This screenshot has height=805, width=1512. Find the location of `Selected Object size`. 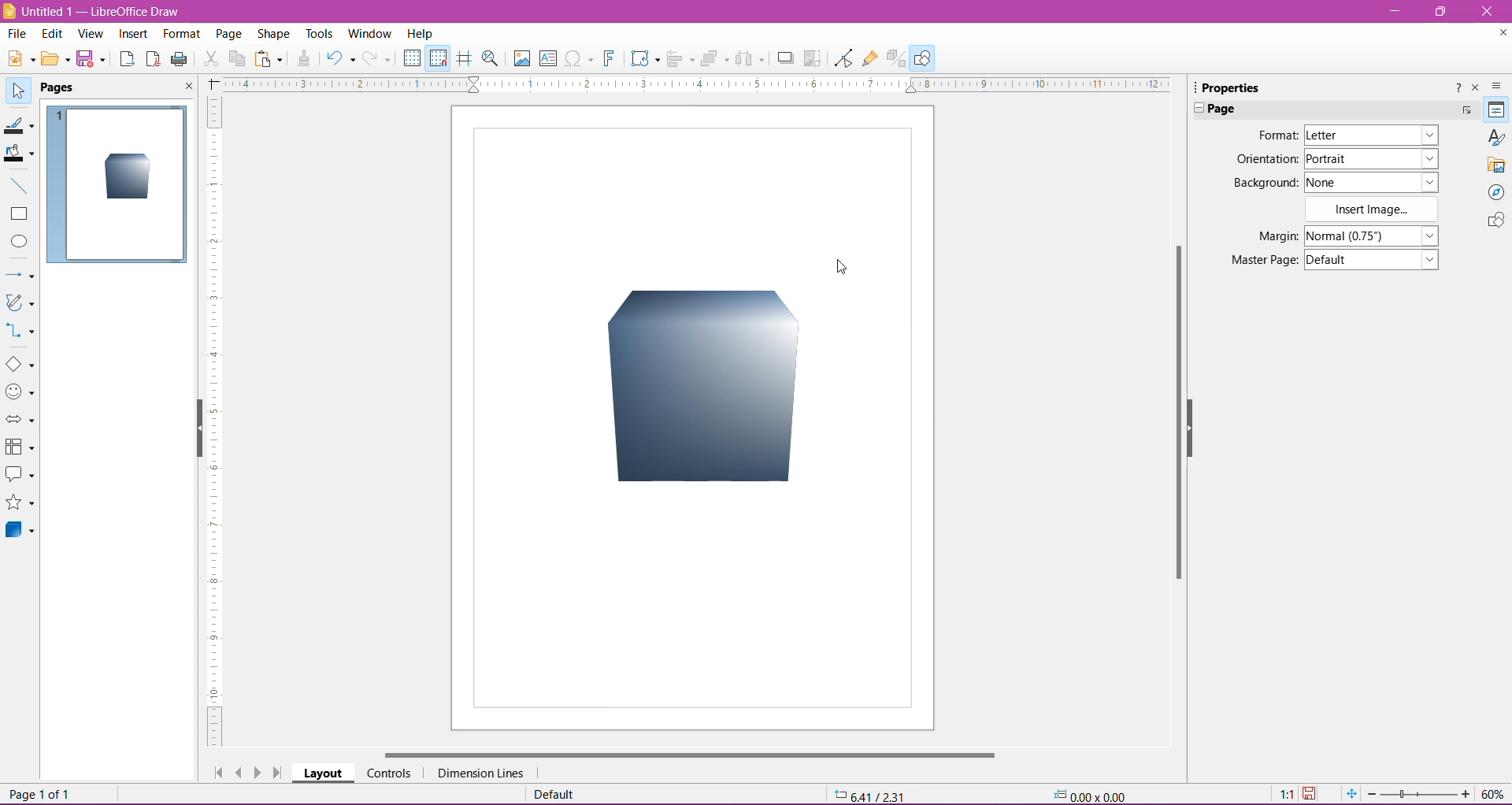

Selected Object size is located at coordinates (1097, 794).